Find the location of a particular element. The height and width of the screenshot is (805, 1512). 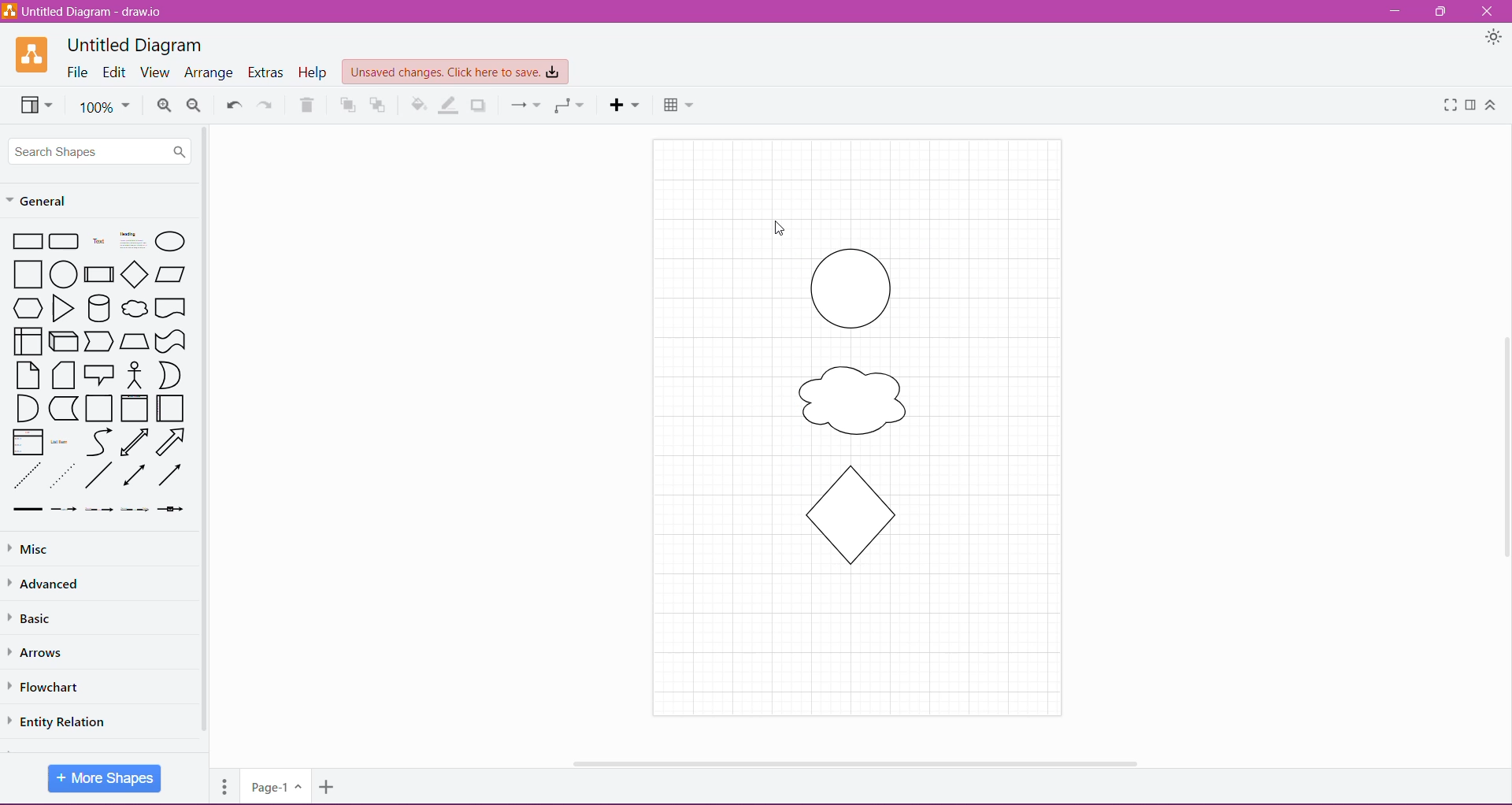

Untitled Diagram is located at coordinates (135, 45).